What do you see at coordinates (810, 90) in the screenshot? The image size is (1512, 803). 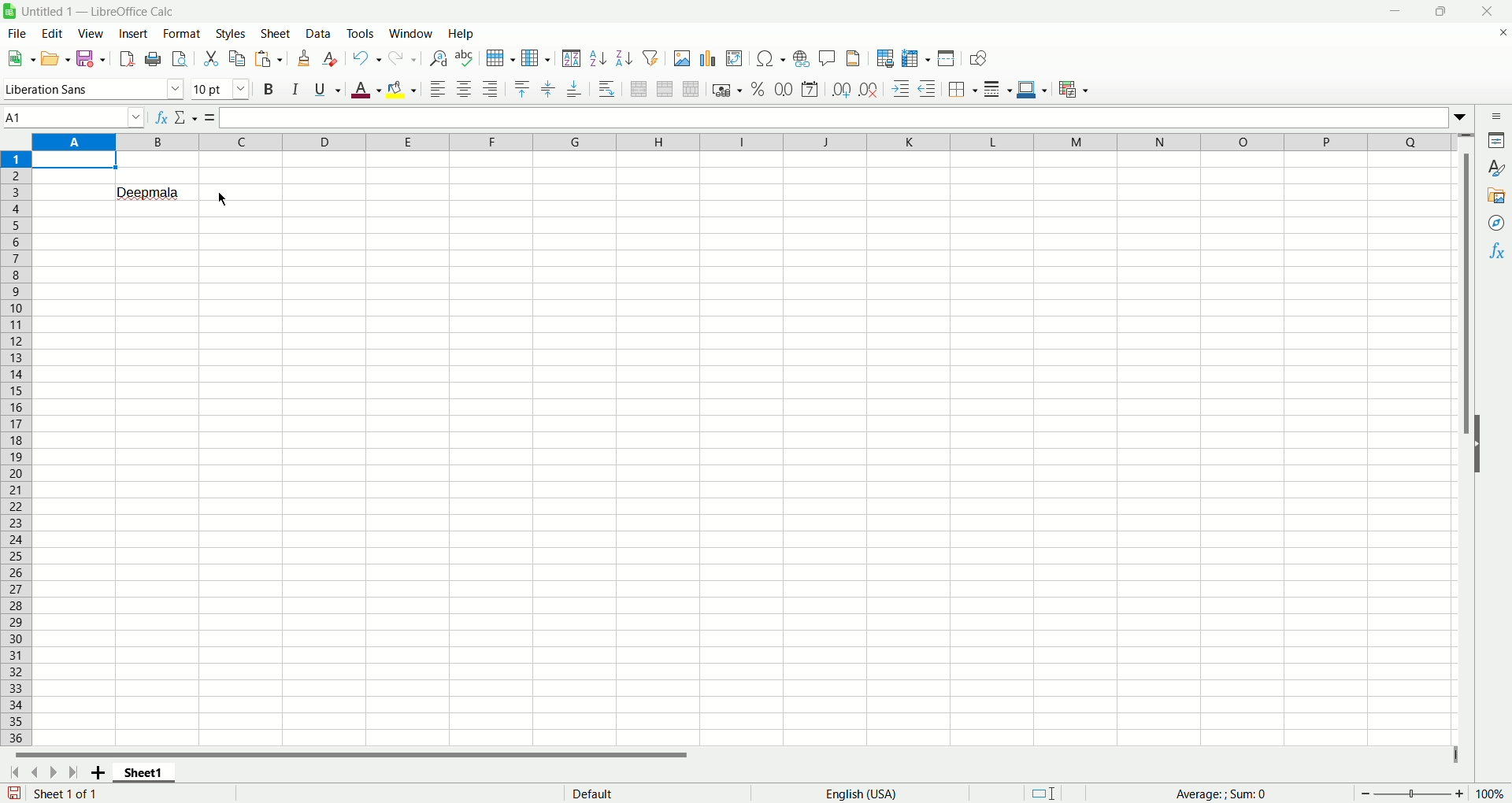 I see `Format as date` at bounding box center [810, 90].